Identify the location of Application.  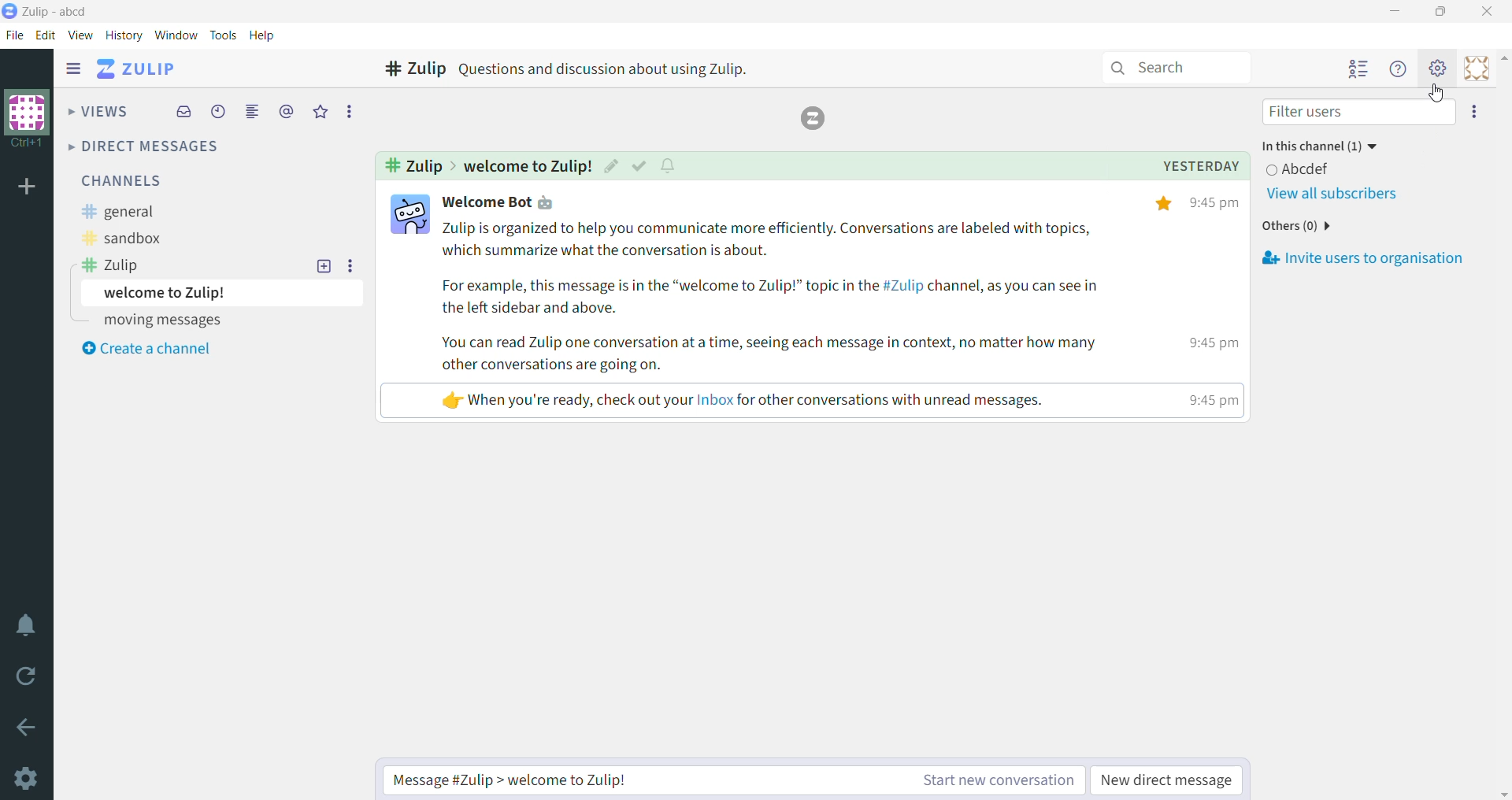
(139, 70).